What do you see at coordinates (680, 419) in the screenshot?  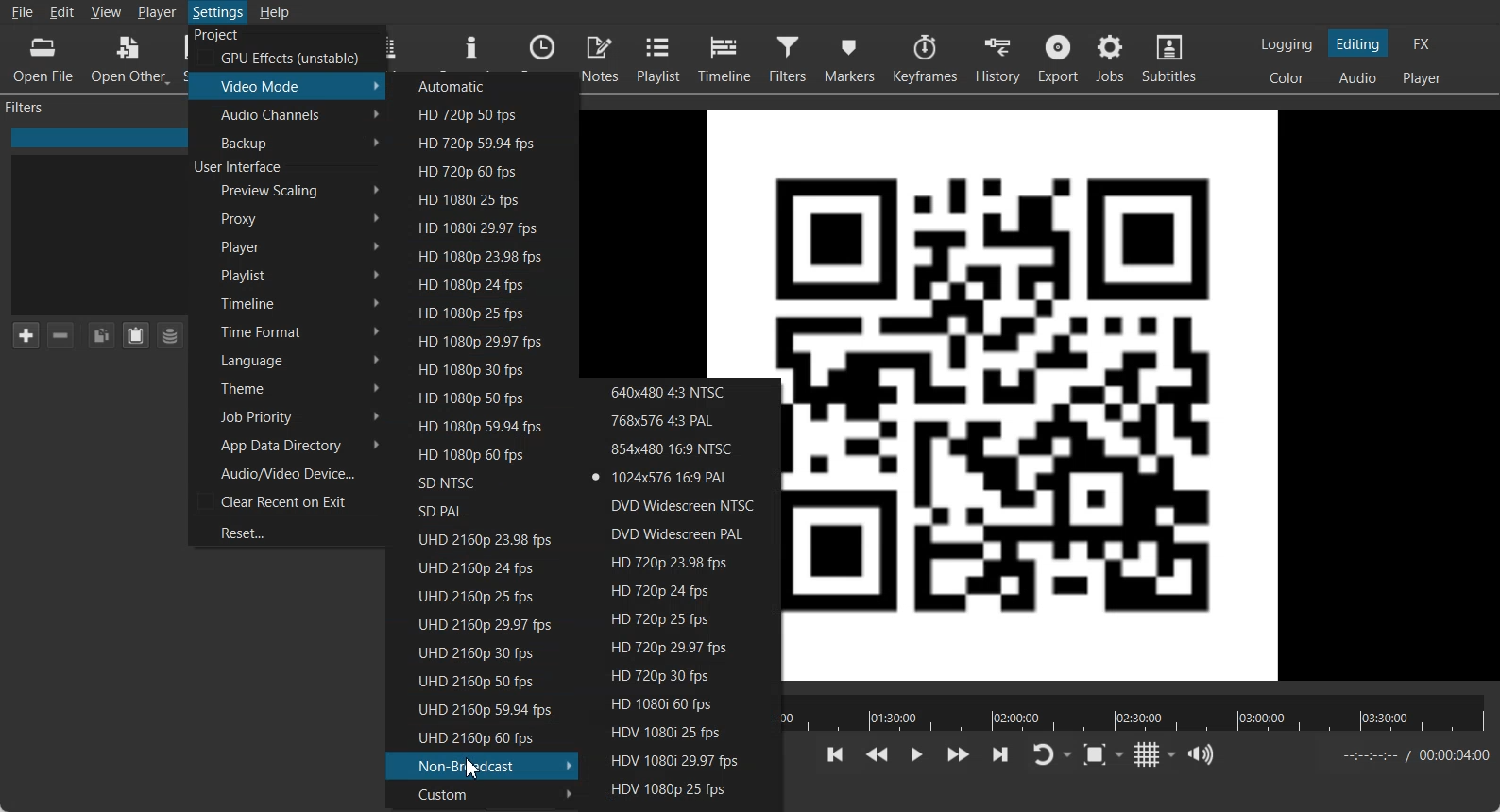 I see `768x576 4:3 PAL` at bounding box center [680, 419].